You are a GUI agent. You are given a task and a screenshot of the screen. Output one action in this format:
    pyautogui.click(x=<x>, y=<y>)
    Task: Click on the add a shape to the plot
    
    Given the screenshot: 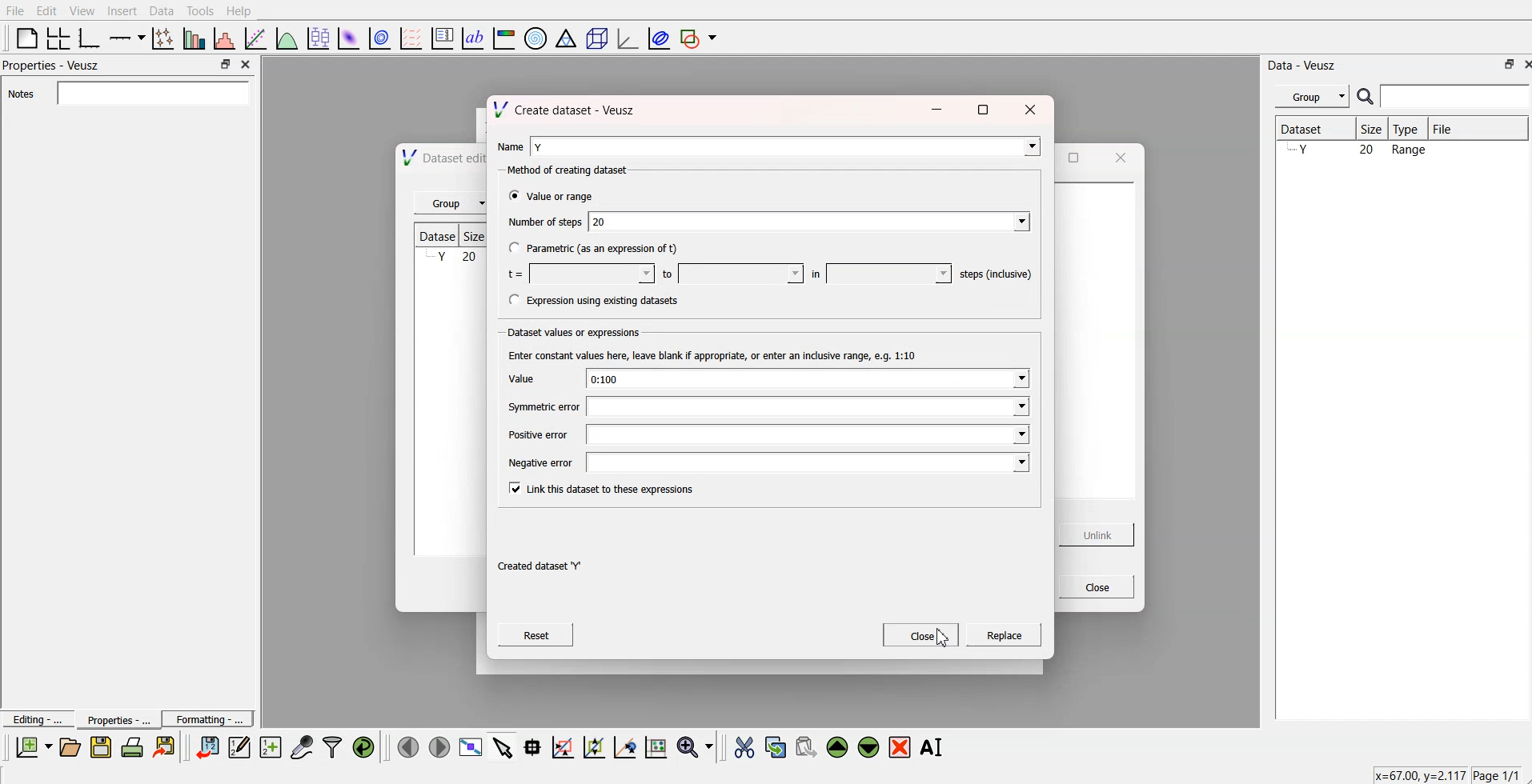 What is the action you would take?
    pyautogui.click(x=700, y=38)
    